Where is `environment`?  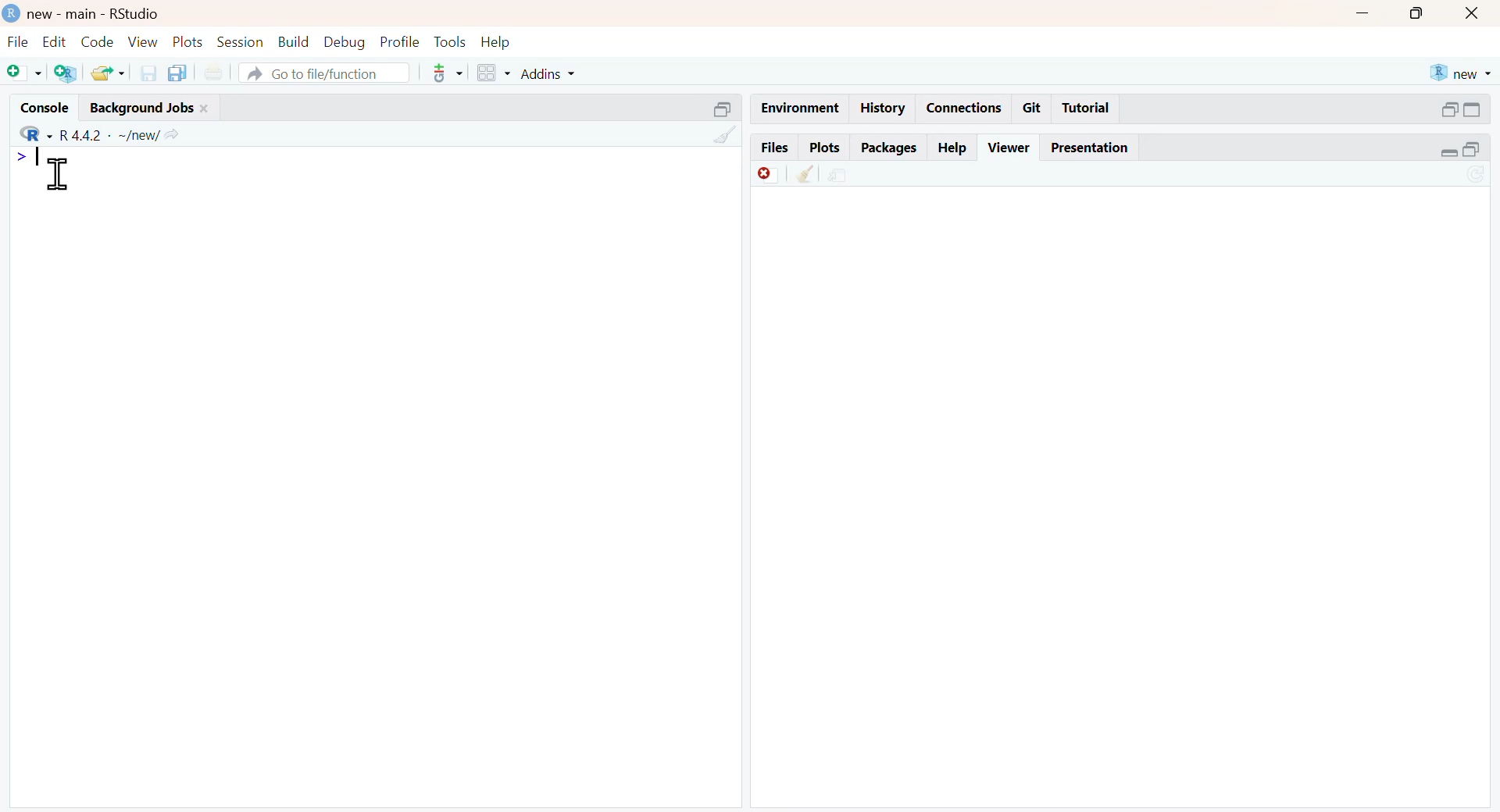
environment is located at coordinates (838, 177).